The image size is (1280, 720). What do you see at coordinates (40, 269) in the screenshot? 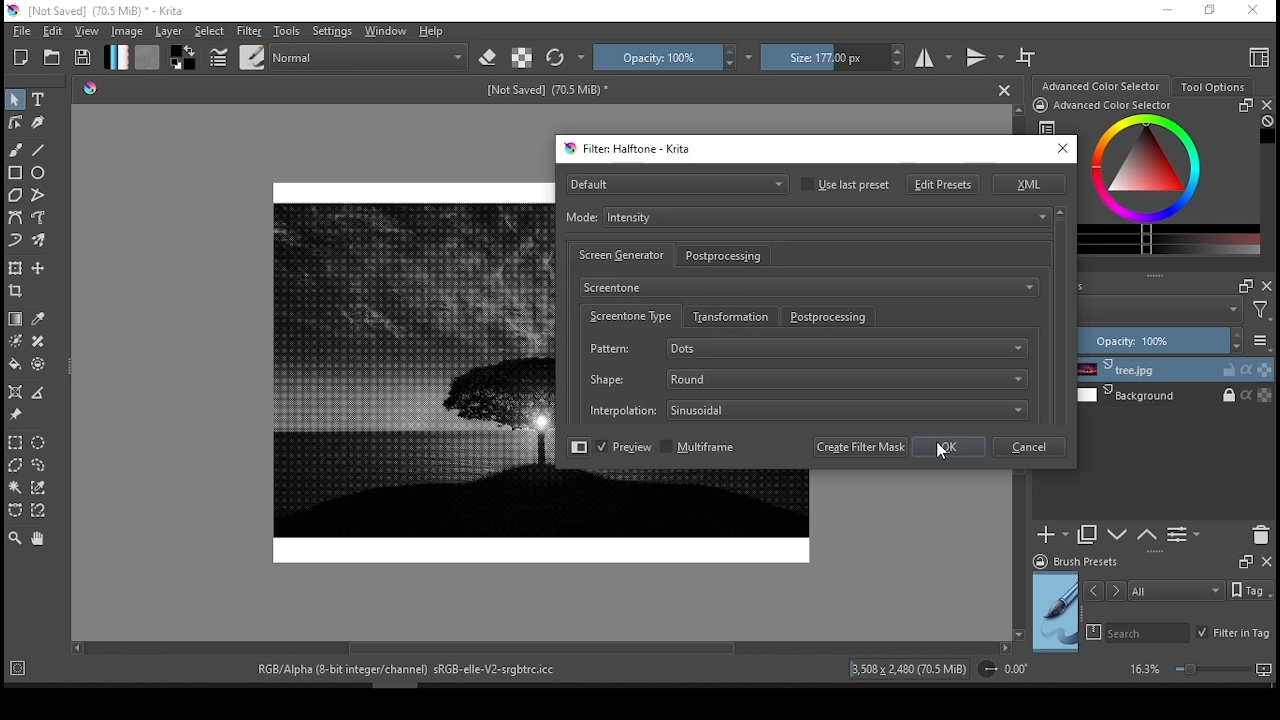
I see `move a layertool` at bounding box center [40, 269].